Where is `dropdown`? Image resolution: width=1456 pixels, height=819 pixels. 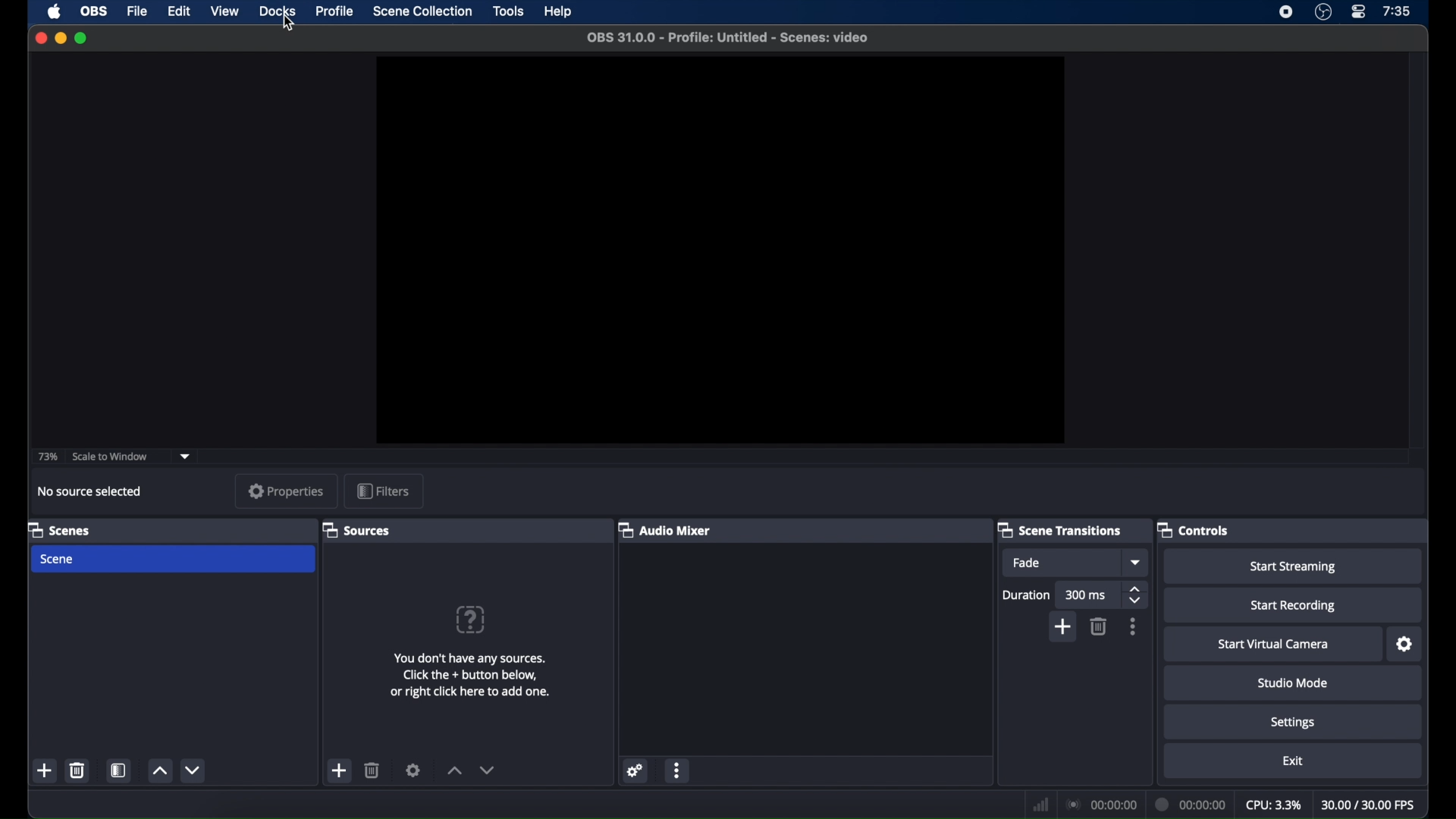 dropdown is located at coordinates (1134, 563).